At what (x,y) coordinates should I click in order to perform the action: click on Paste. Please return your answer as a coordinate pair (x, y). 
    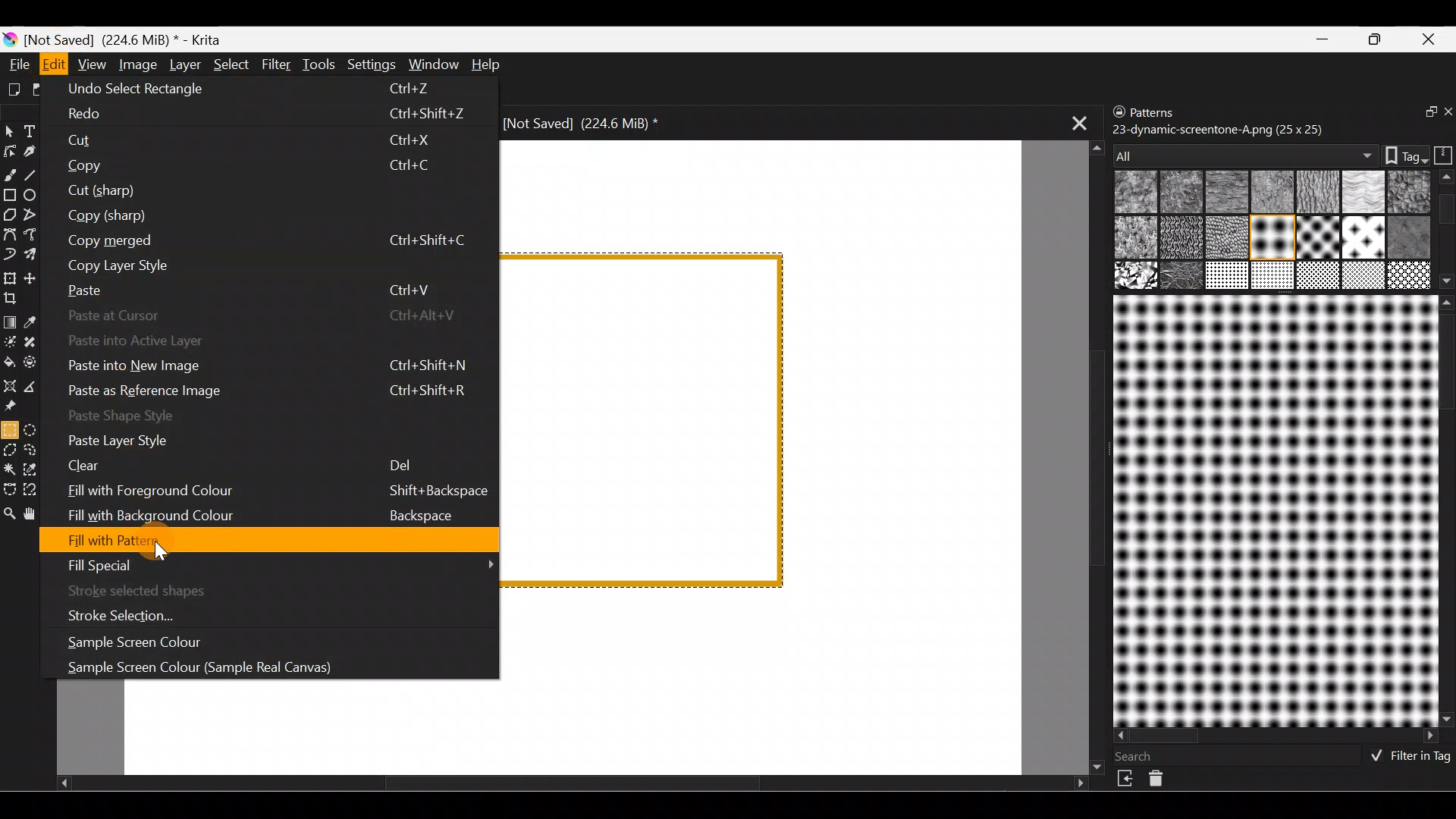
    Looking at the image, I should click on (260, 285).